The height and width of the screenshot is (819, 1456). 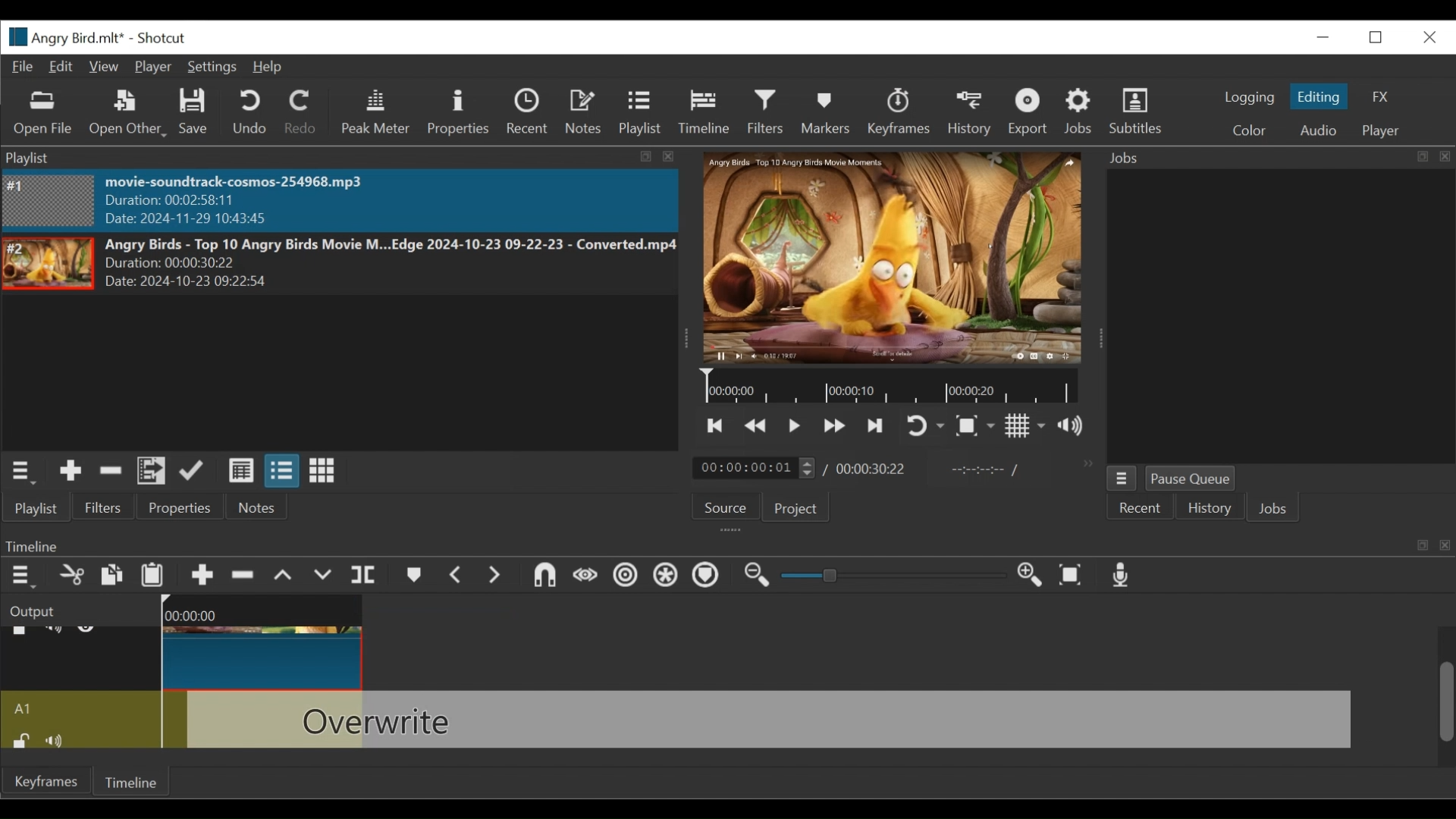 What do you see at coordinates (748, 467) in the screenshot?
I see `/ 00:00:00:01(Current duration)` at bounding box center [748, 467].